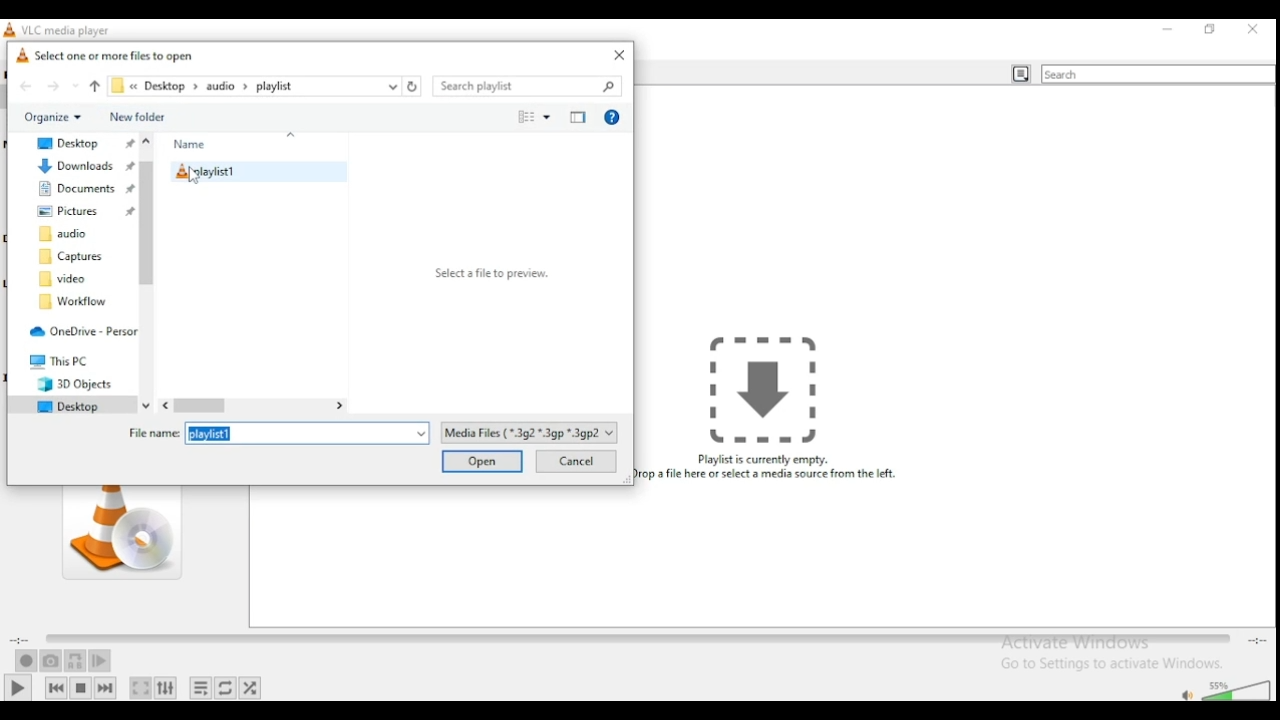  Describe the element at coordinates (1158, 74) in the screenshot. I see `search bar` at that location.